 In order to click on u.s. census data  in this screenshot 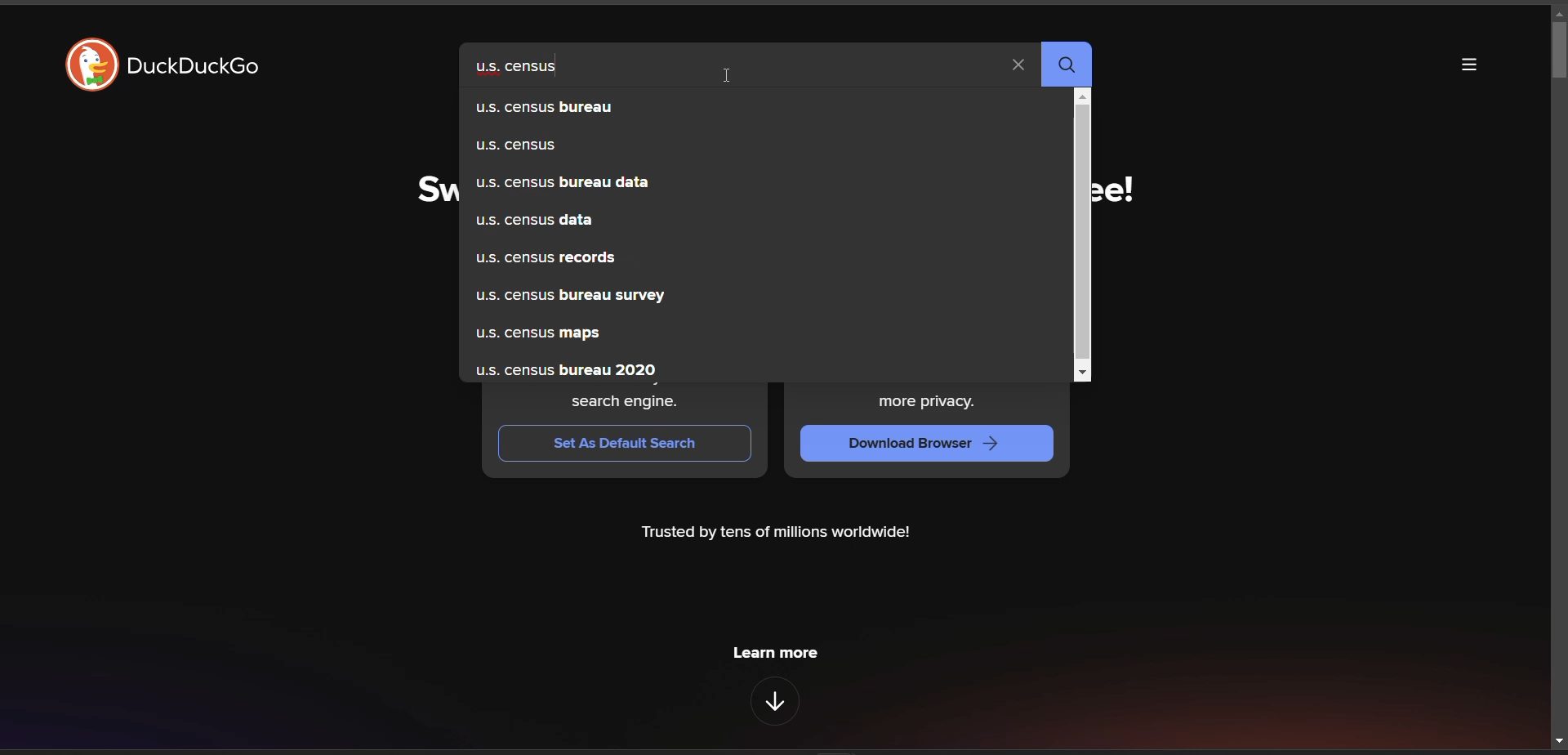, I will do `click(753, 219)`.